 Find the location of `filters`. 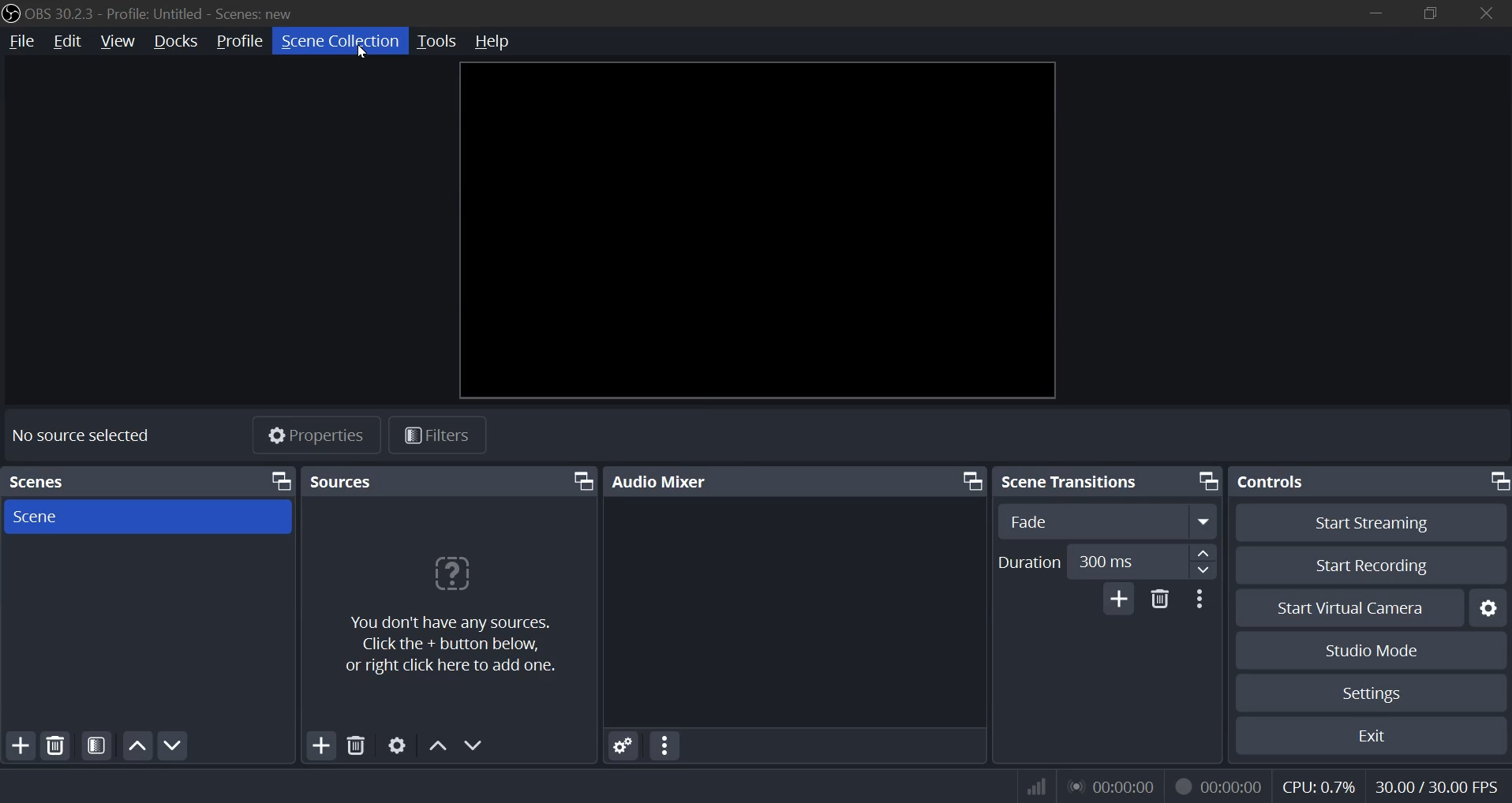

filters is located at coordinates (448, 434).